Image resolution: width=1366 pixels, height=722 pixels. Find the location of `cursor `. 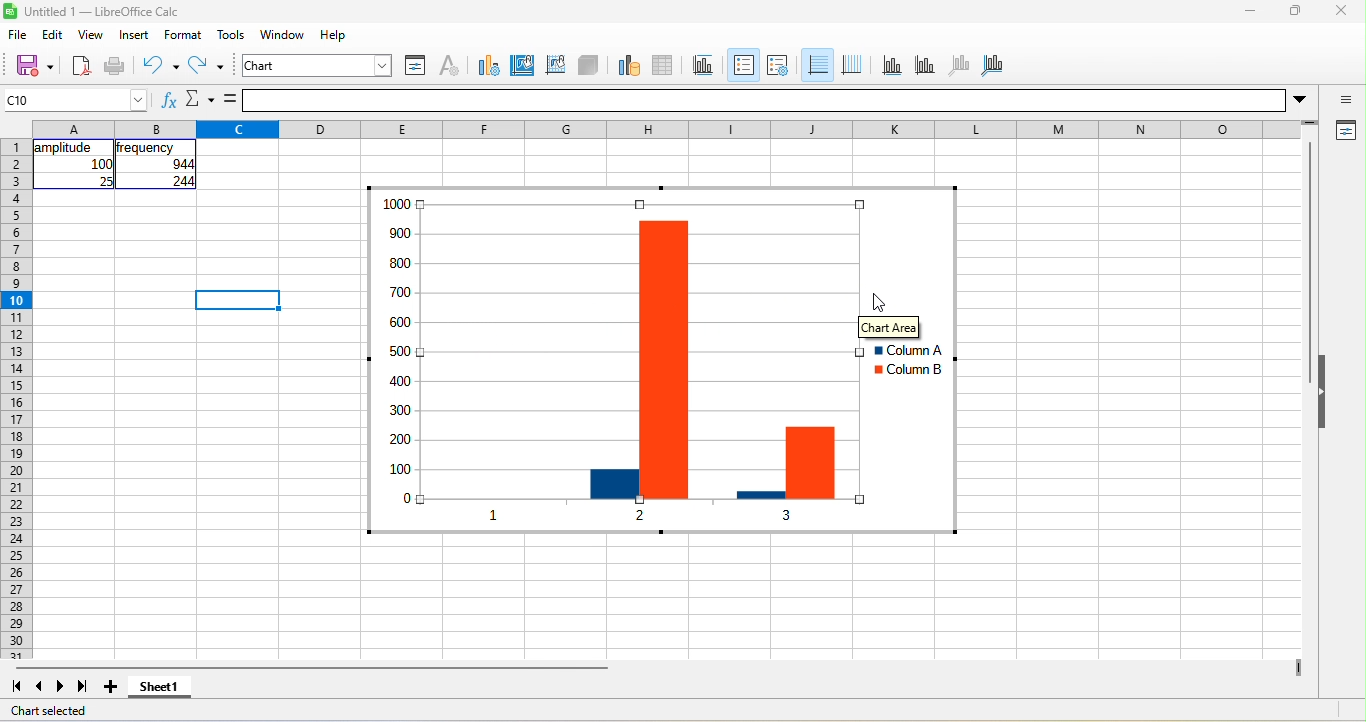

cursor  is located at coordinates (878, 300).